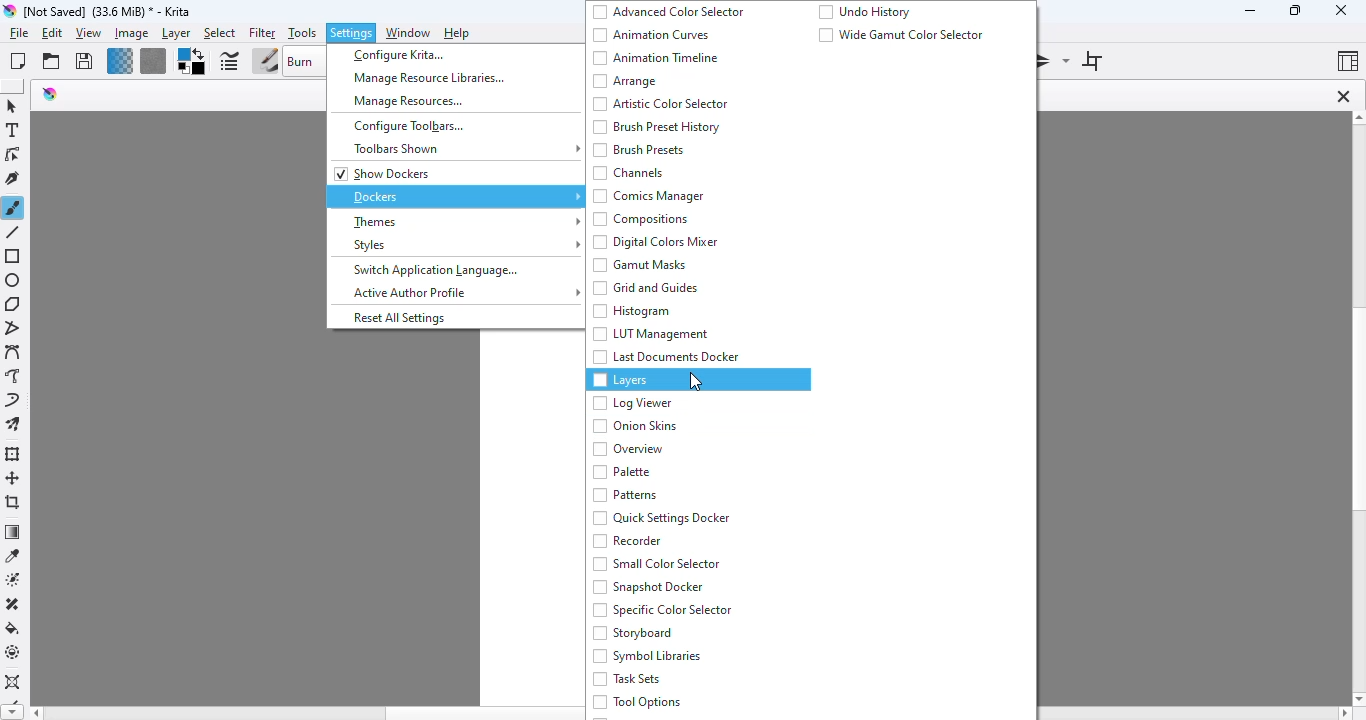  What do you see at coordinates (463, 223) in the screenshot?
I see `themes` at bounding box center [463, 223].